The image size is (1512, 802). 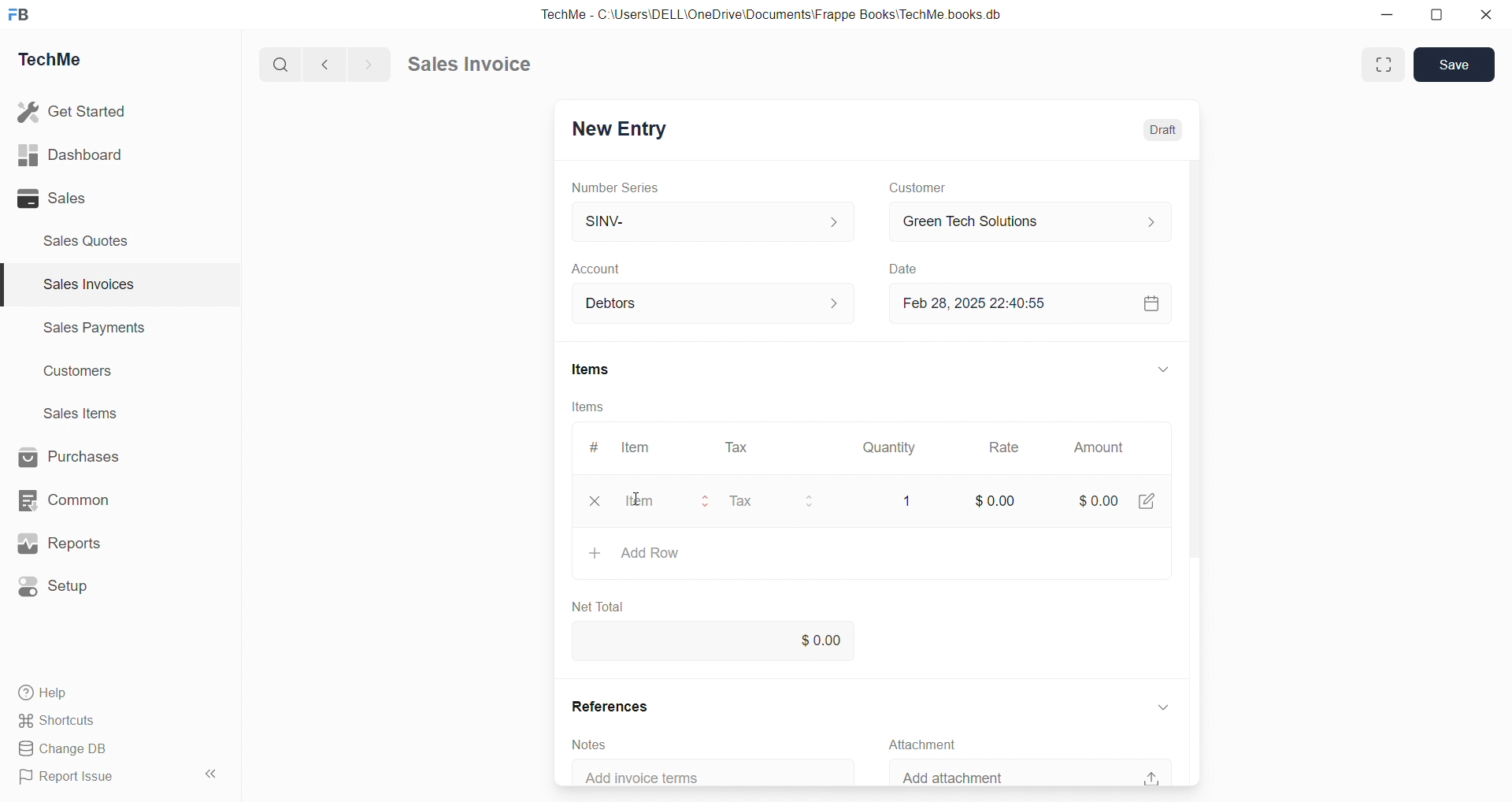 I want to click on upload, so click(x=1151, y=778).